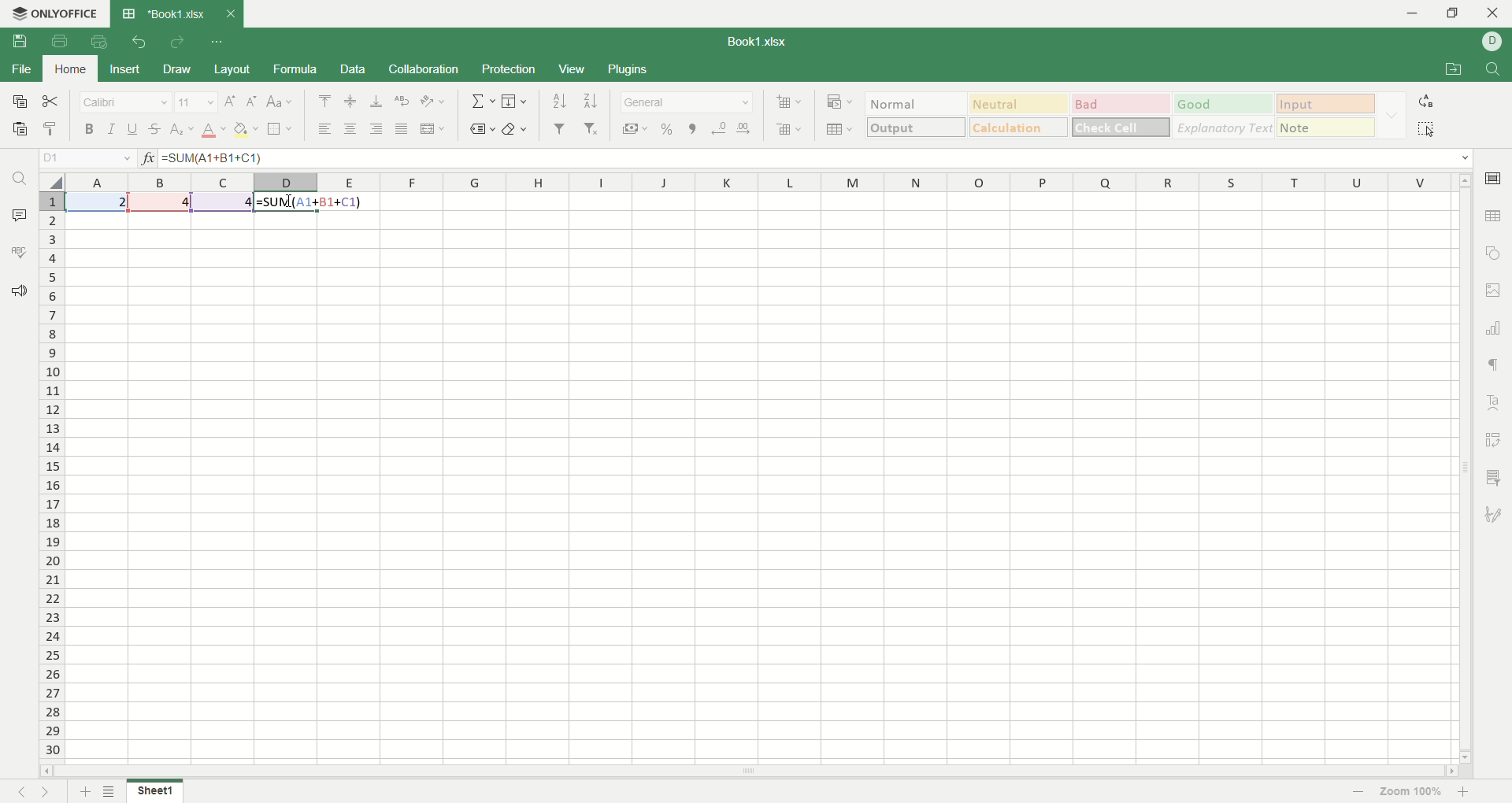  What do you see at coordinates (98, 42) in the screenshot?
I see `quick PRINT` at bounding box center [98, 42].